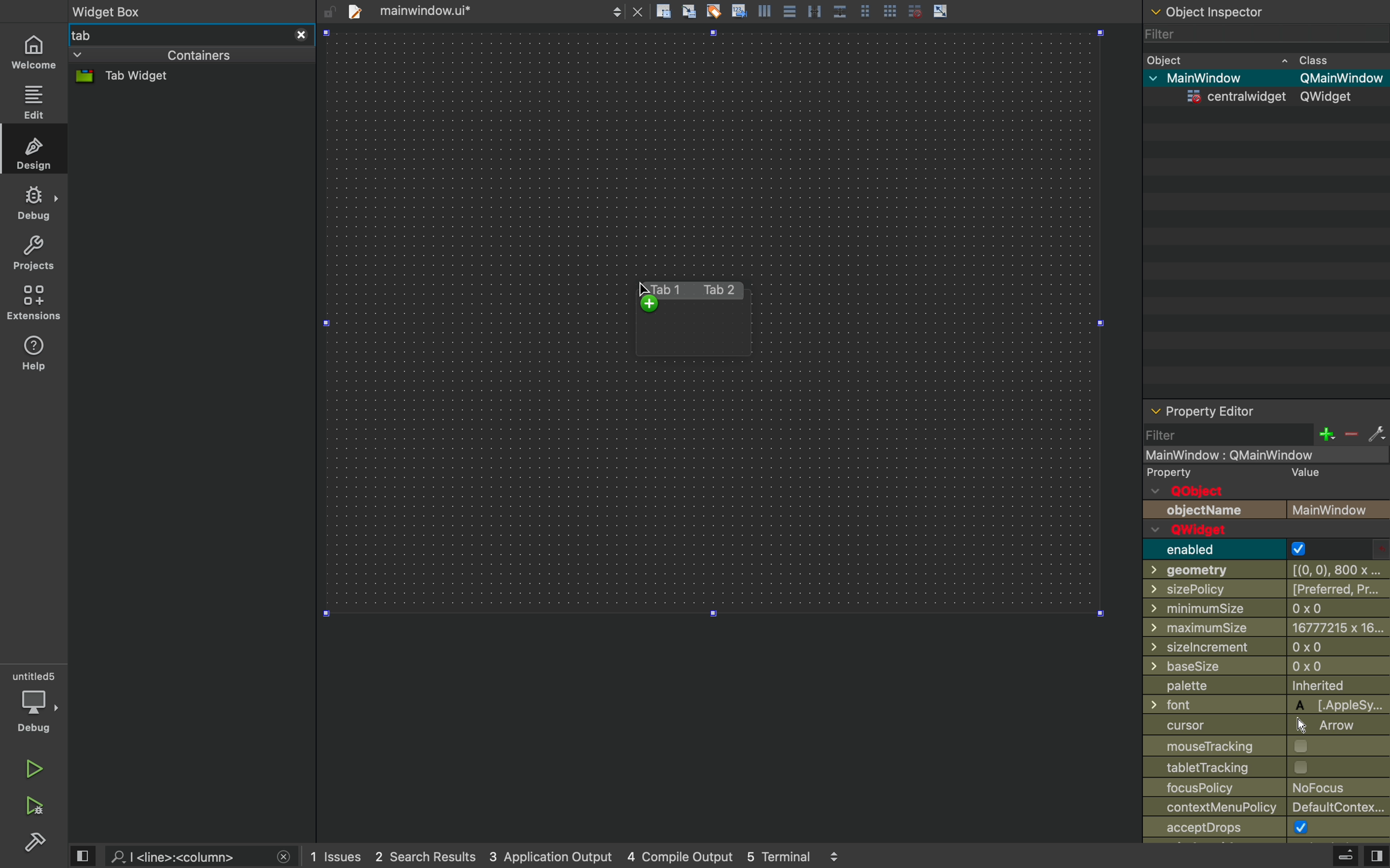  What do you see at coordinates (1270, 809) in the screenshot?
I see `contextmenupolicy` at bounding box center [1270, 809].